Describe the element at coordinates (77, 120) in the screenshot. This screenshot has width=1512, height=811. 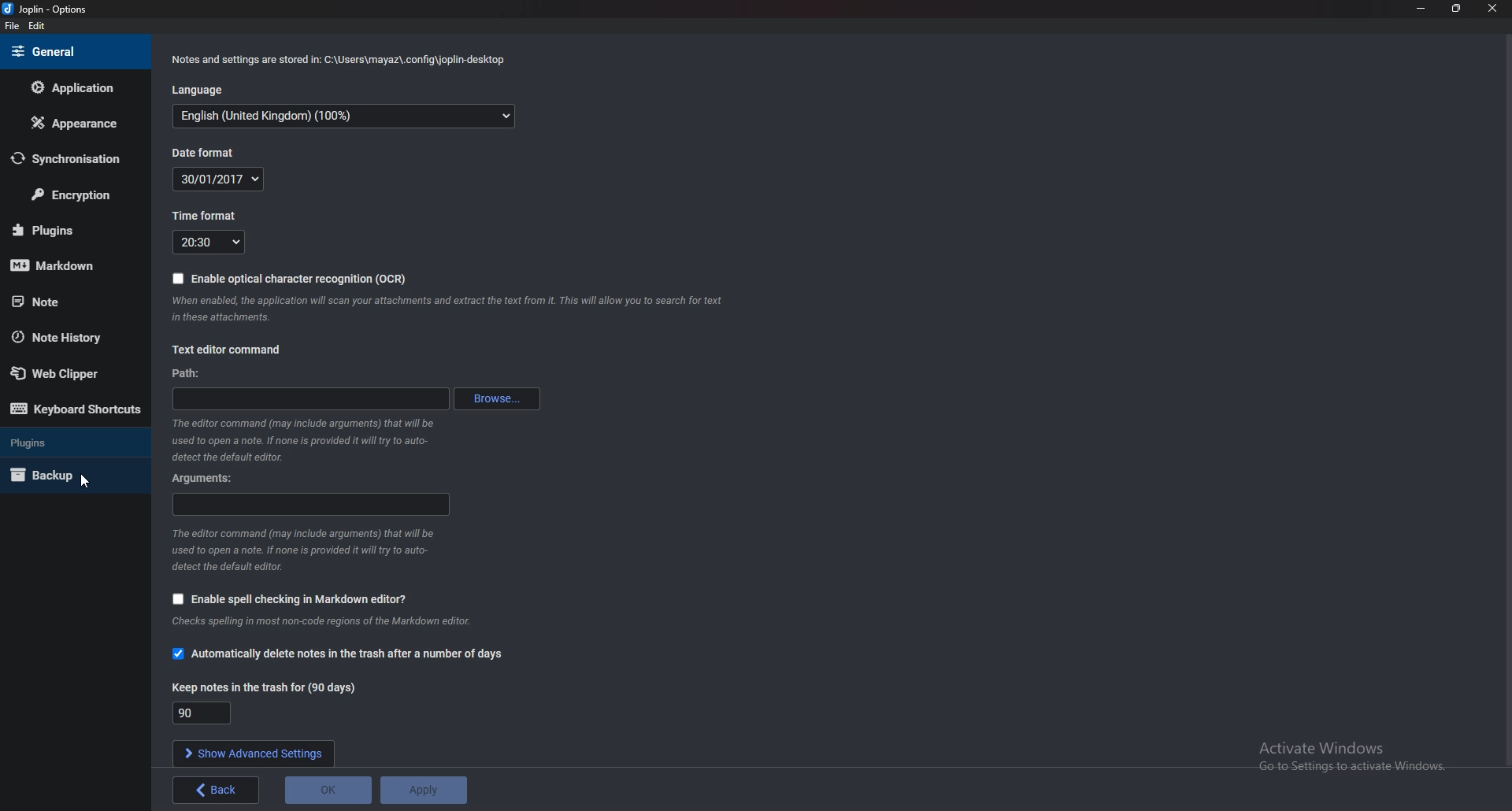
I see `Appearance` at that location.